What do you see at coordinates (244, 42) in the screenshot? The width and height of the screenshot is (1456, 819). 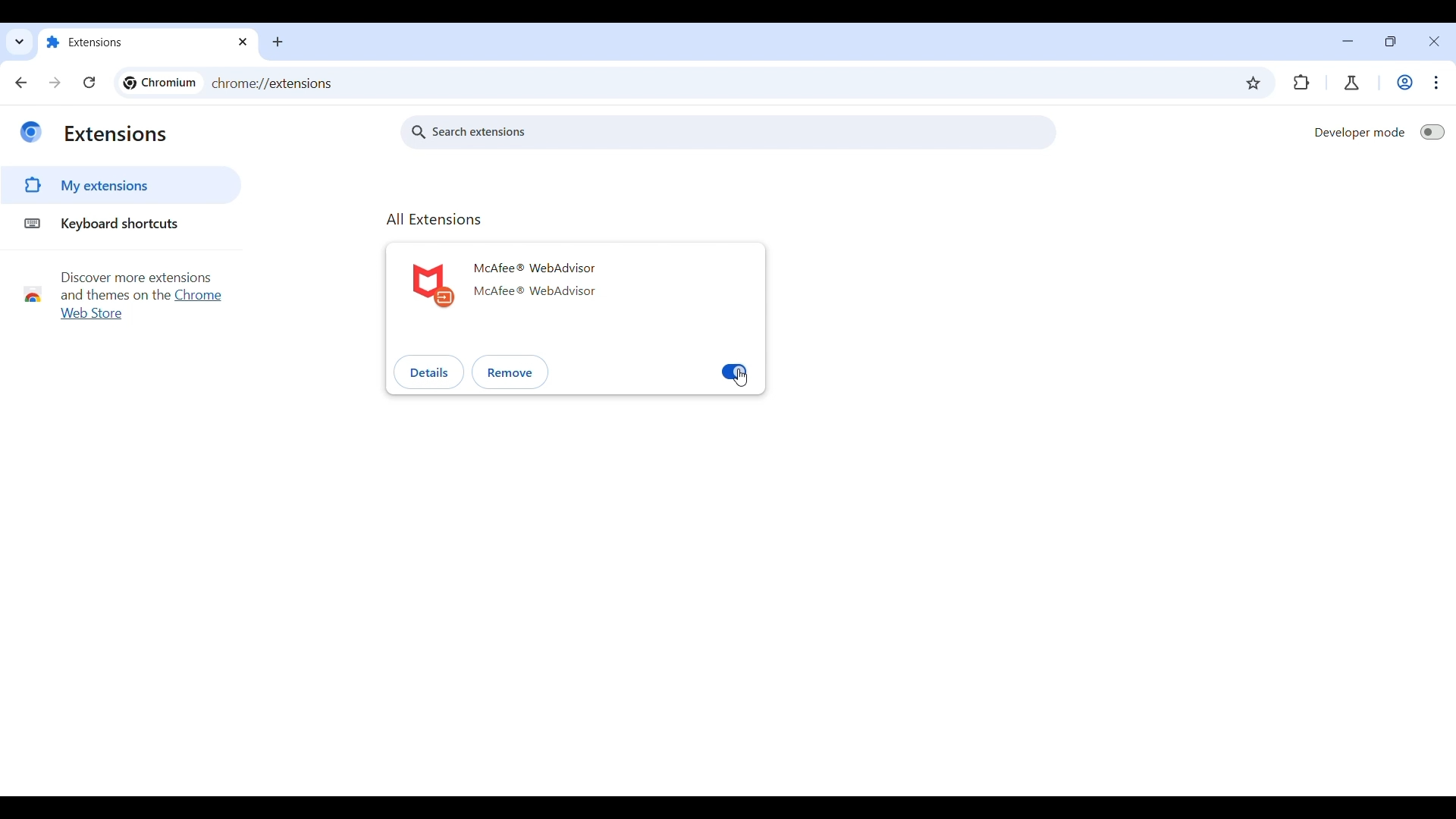 I see `Close tab` at bounding box center [244, 42].